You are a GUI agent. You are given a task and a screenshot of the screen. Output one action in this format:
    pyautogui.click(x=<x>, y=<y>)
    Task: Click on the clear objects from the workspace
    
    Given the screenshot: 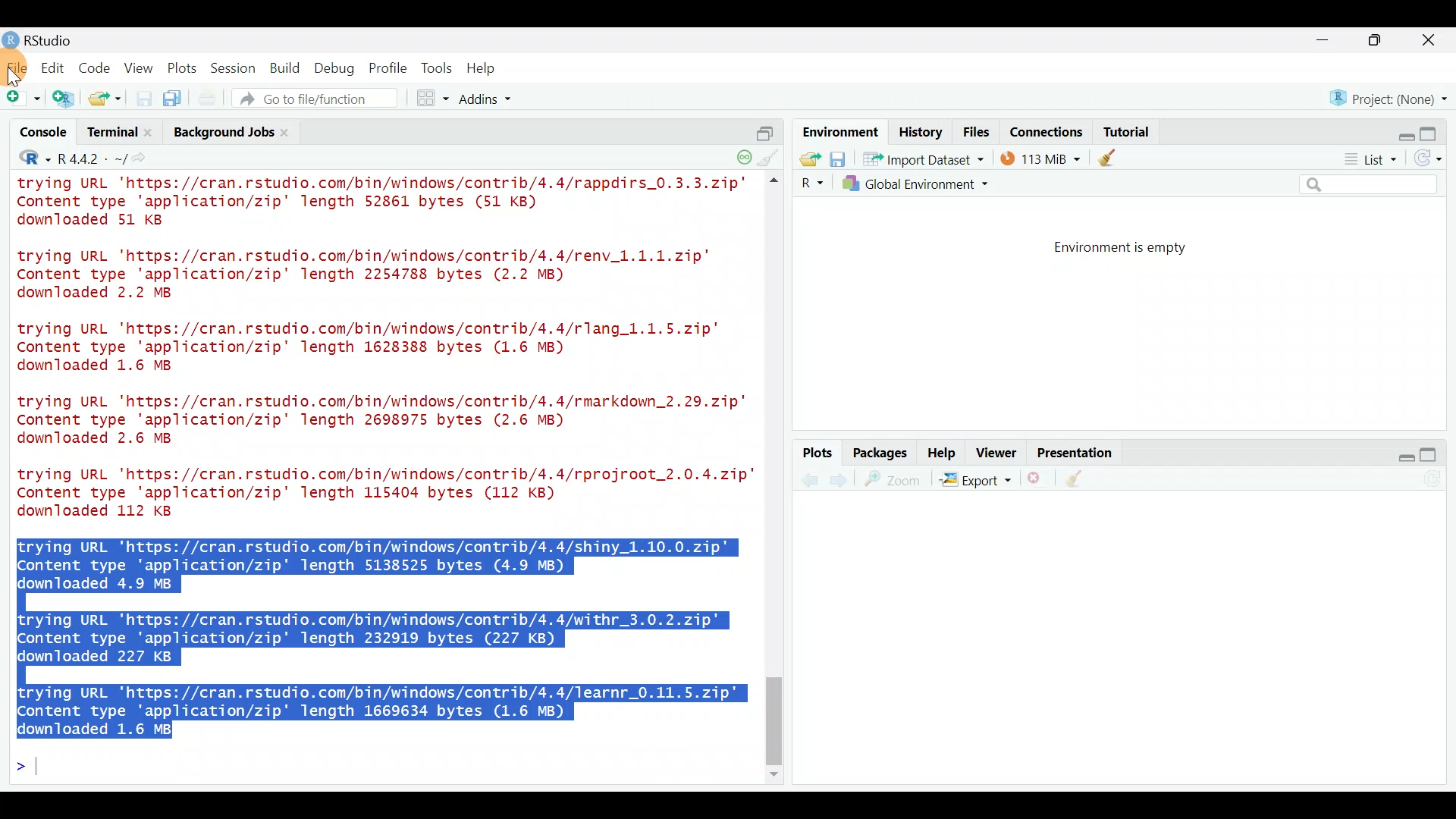 What is the action you would take?
    pyautogui.click(x=1109, y=157)
    